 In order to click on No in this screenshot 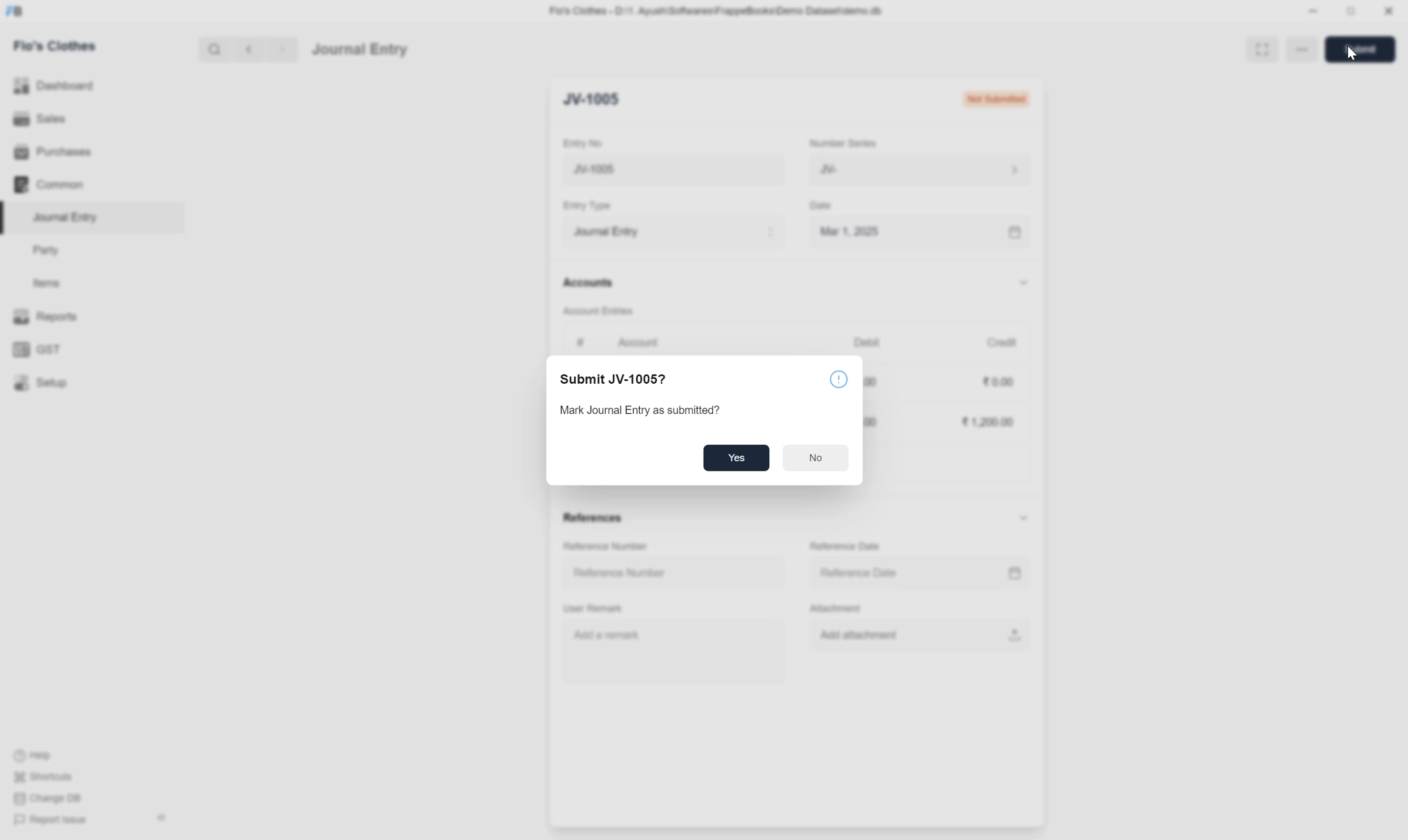, I will do `click(818, 459)`.